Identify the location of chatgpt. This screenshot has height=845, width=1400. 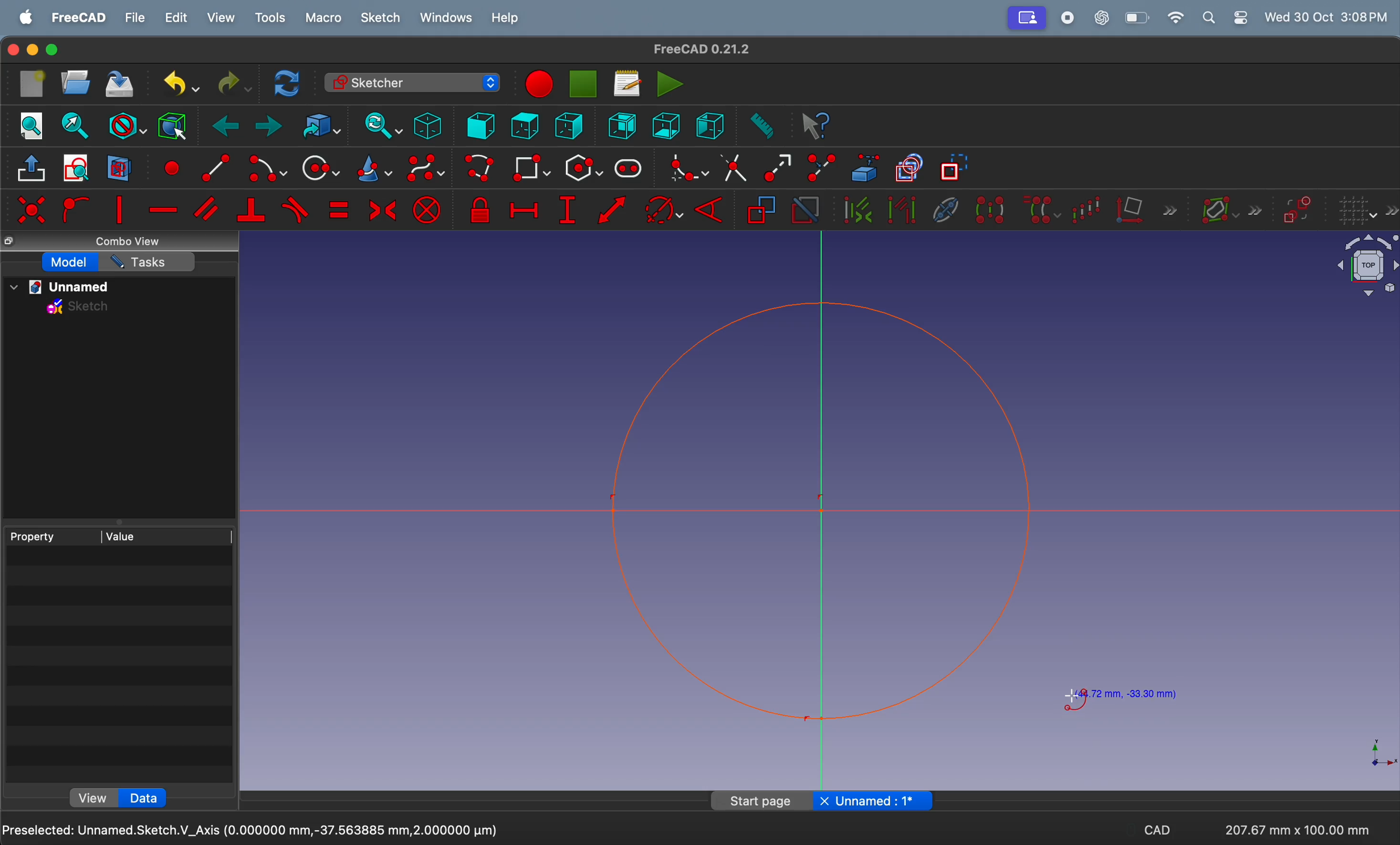
(1103, 17).